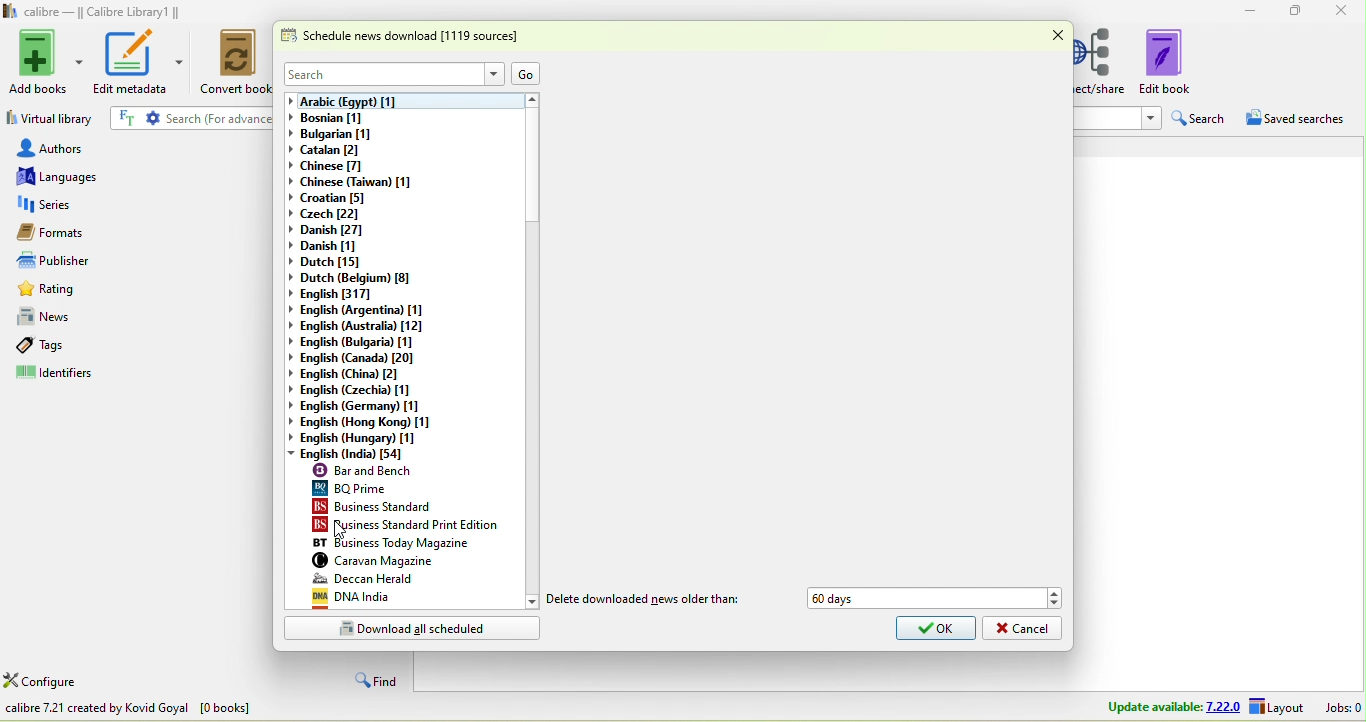  Describe the element at coordinates (378, 678) in the screenshot. I see `find` at that location.